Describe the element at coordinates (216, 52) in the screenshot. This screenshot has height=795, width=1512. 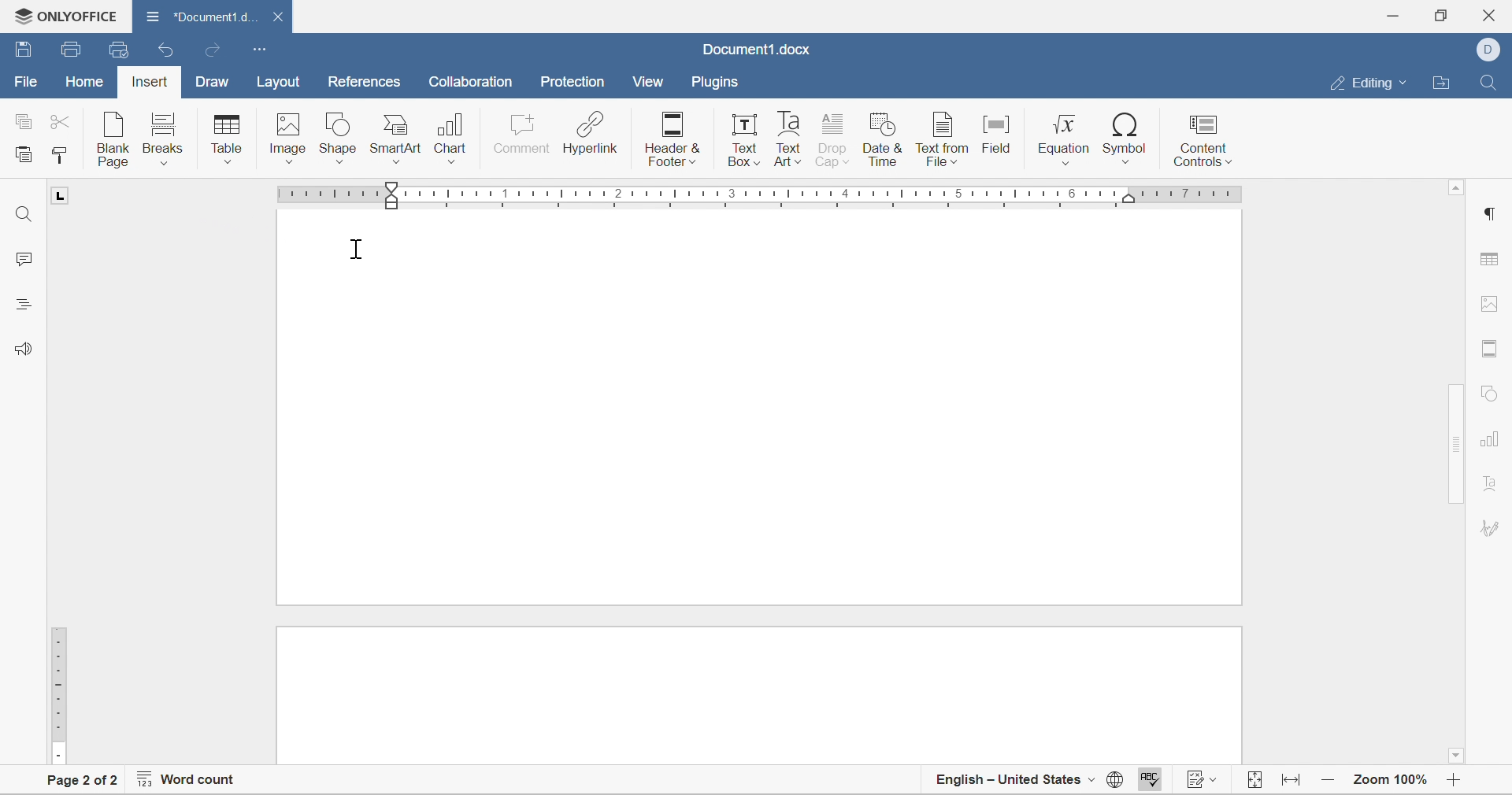
I see `Redo` at that location.